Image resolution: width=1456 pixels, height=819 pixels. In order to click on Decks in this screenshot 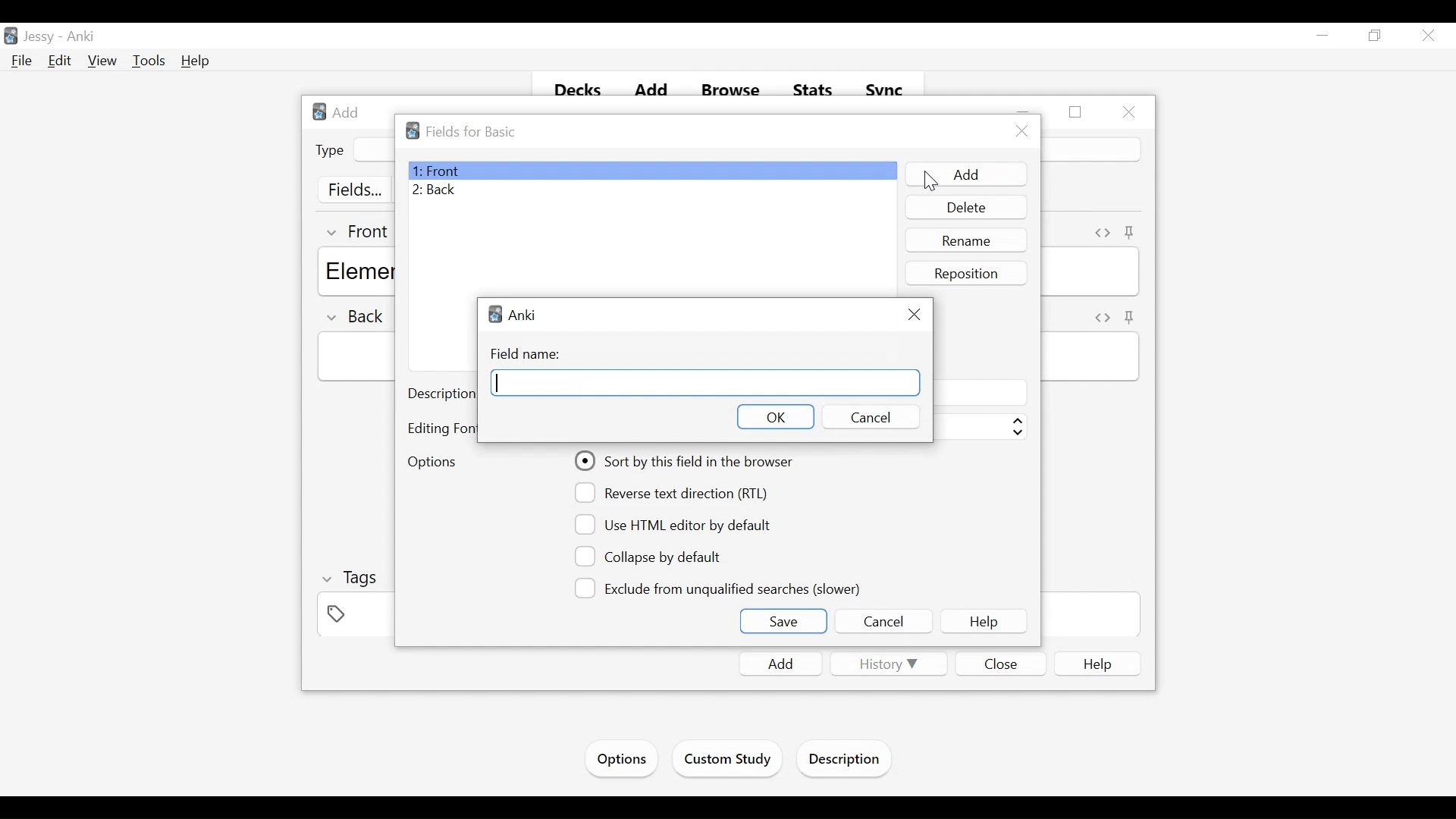, I will do `click(579, 91)`.